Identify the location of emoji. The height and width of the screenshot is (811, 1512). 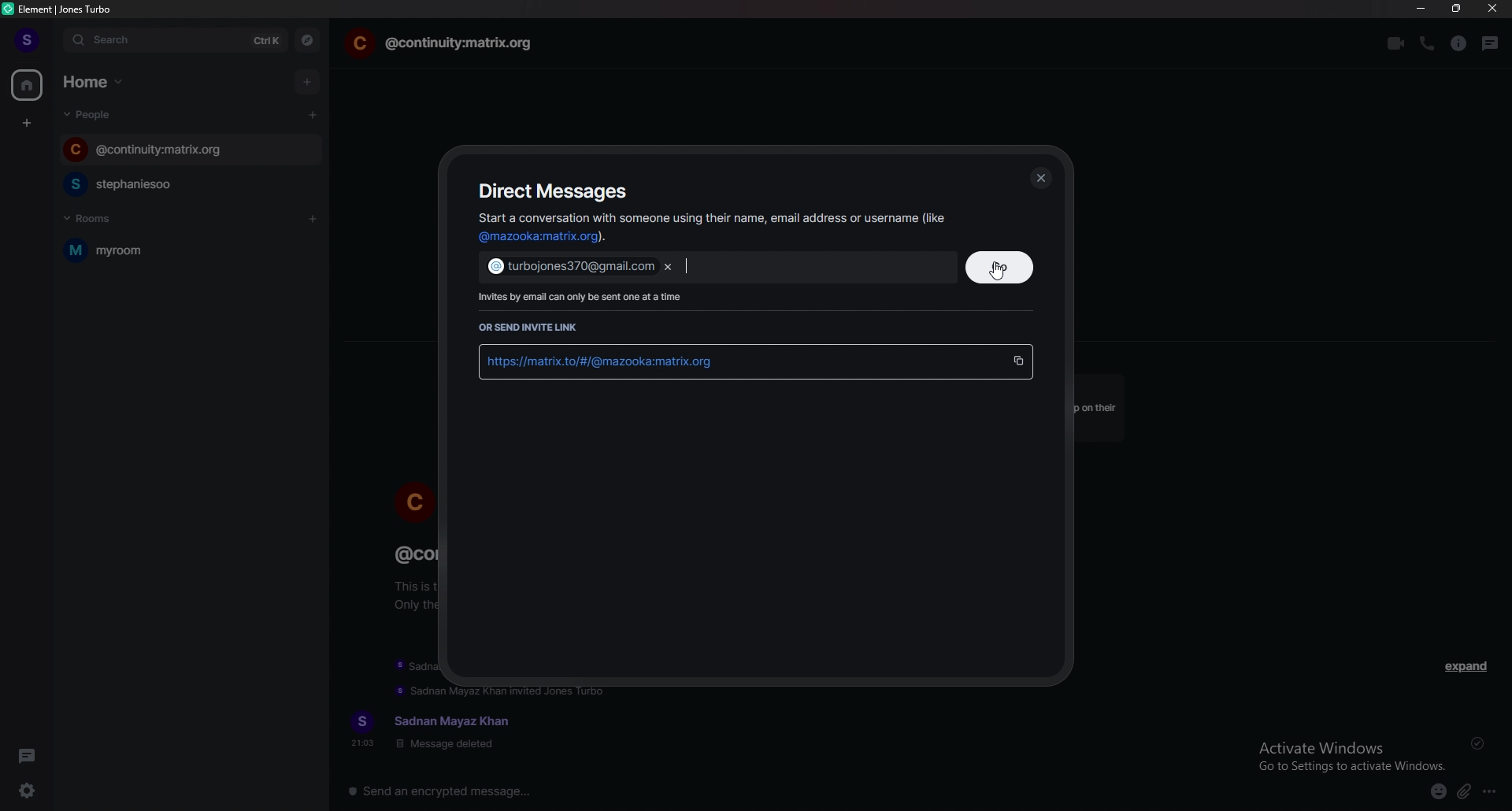
(1439, 793).